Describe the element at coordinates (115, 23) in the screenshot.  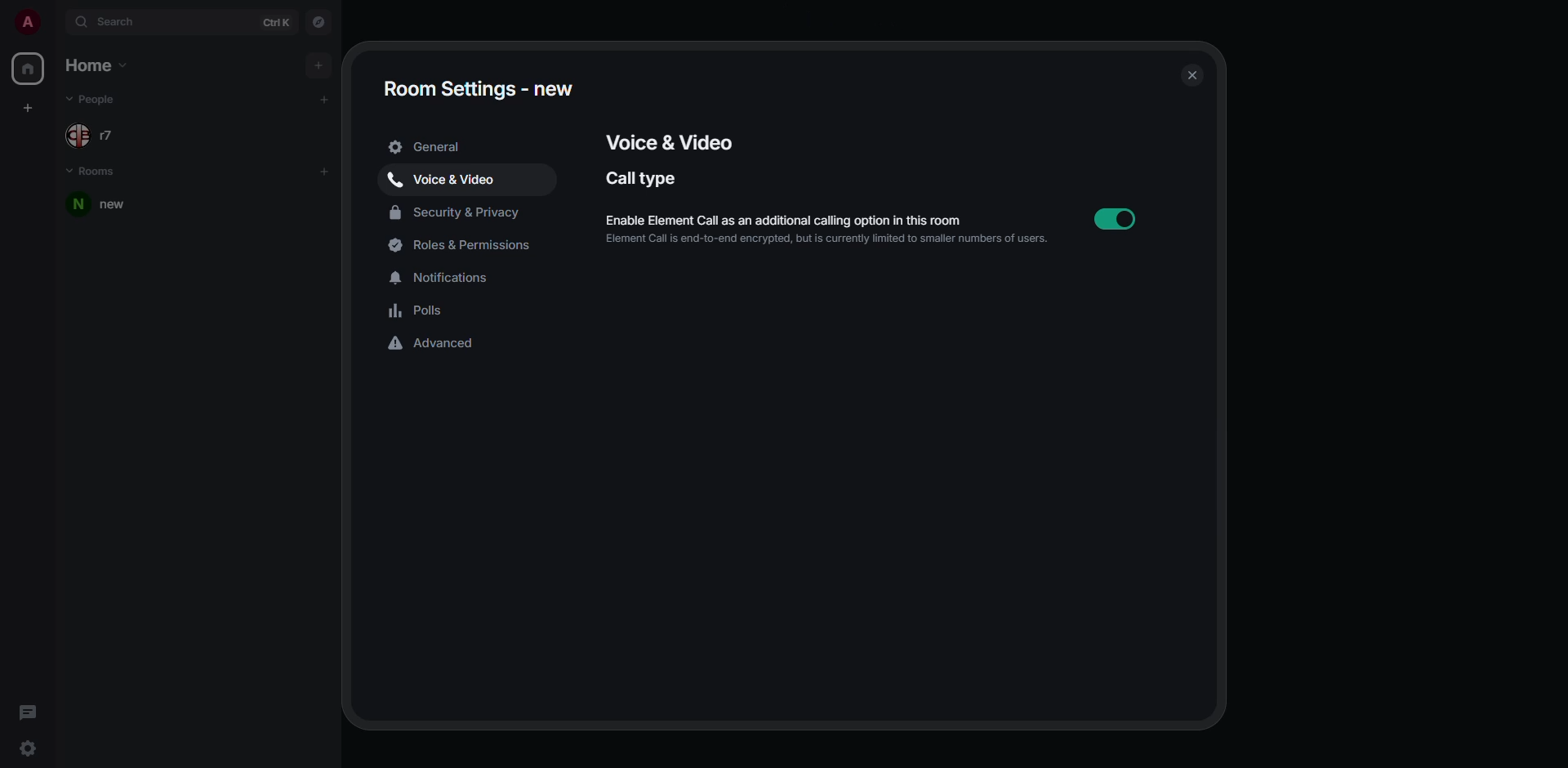
I see `search` at that location.